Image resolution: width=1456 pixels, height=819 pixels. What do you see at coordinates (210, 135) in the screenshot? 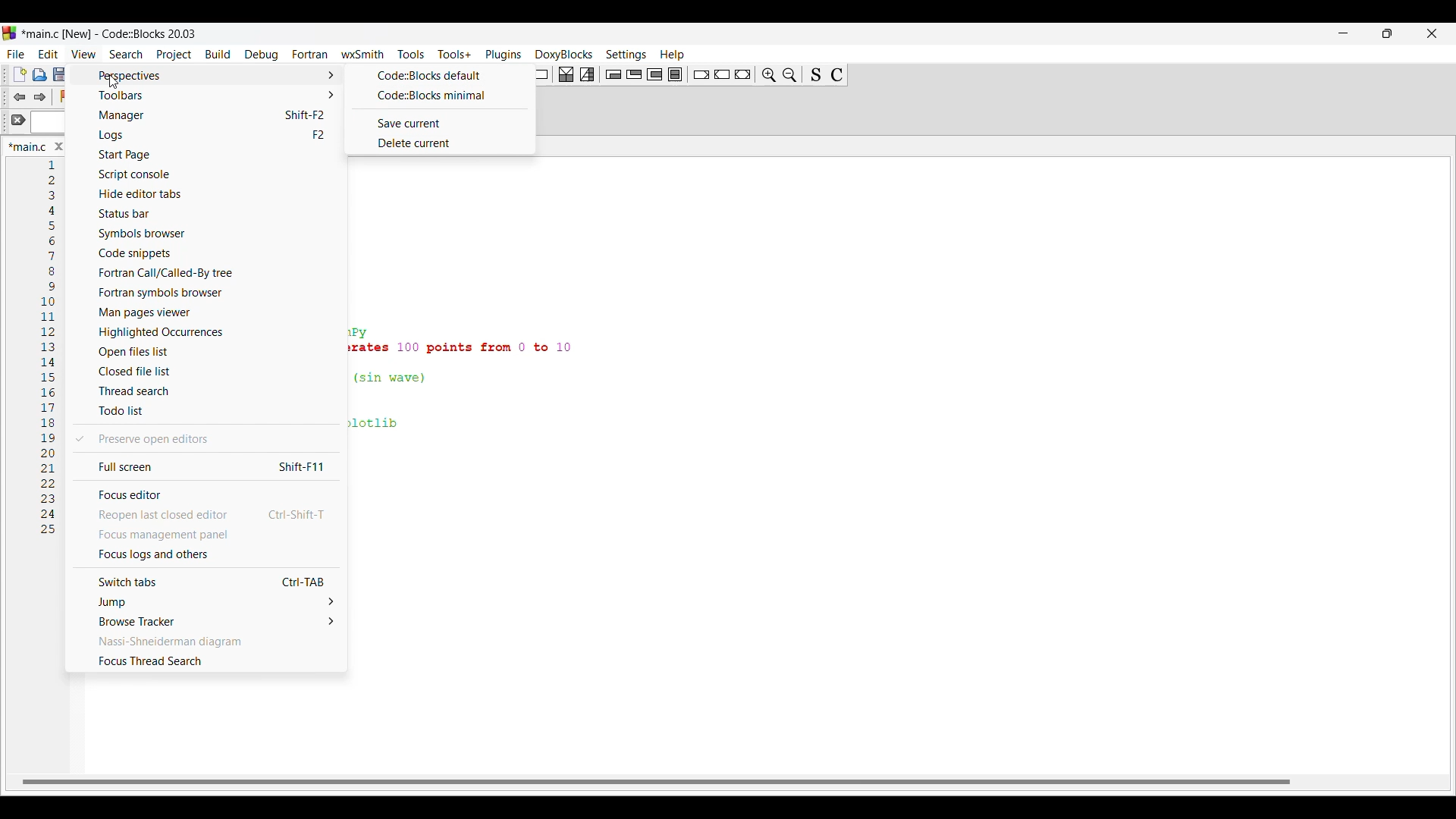
I see `Logs` at bounding box center [210, 135].